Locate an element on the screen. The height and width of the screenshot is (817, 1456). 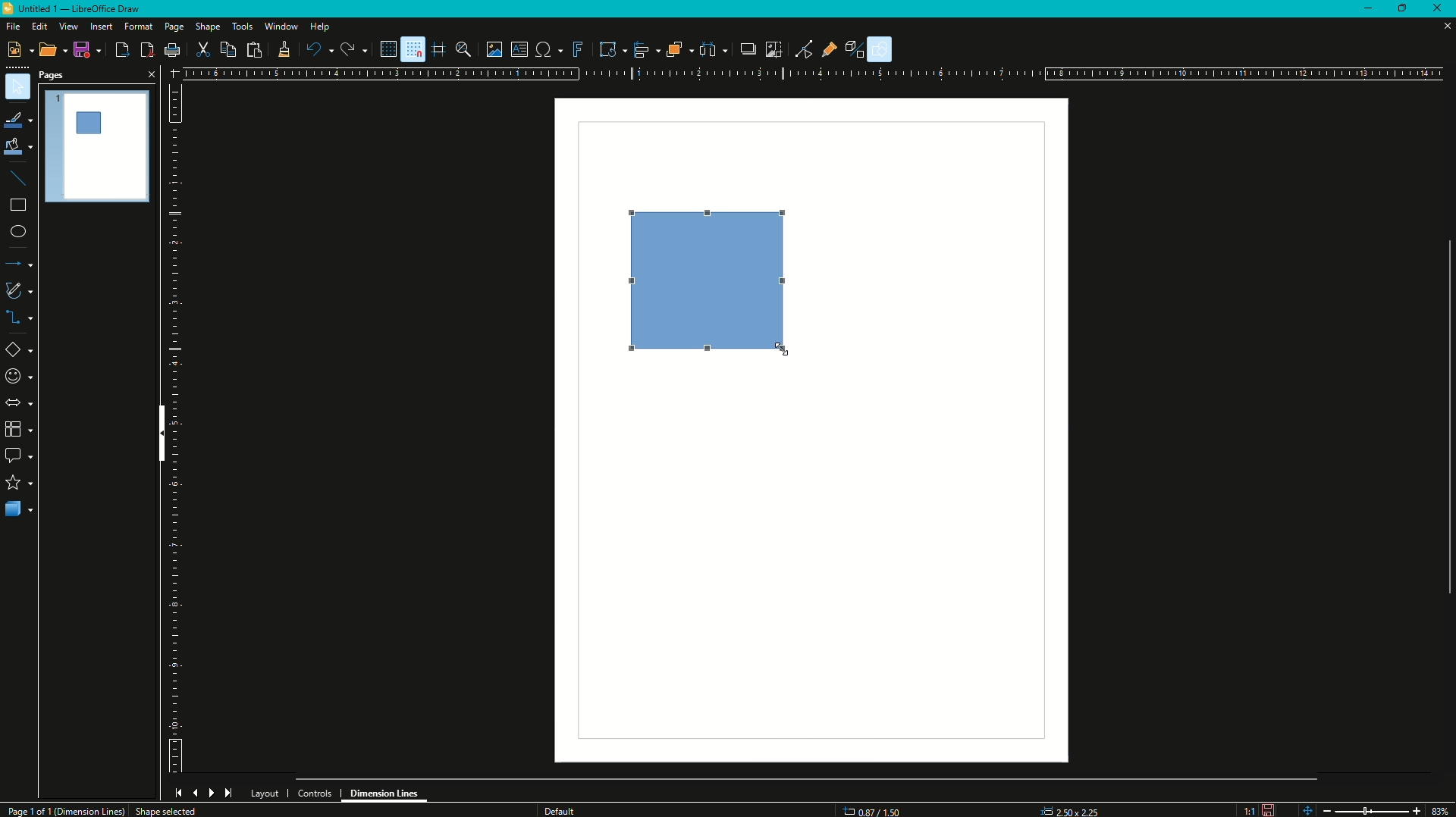
Zoom in is located at coordinates (1416, 810).